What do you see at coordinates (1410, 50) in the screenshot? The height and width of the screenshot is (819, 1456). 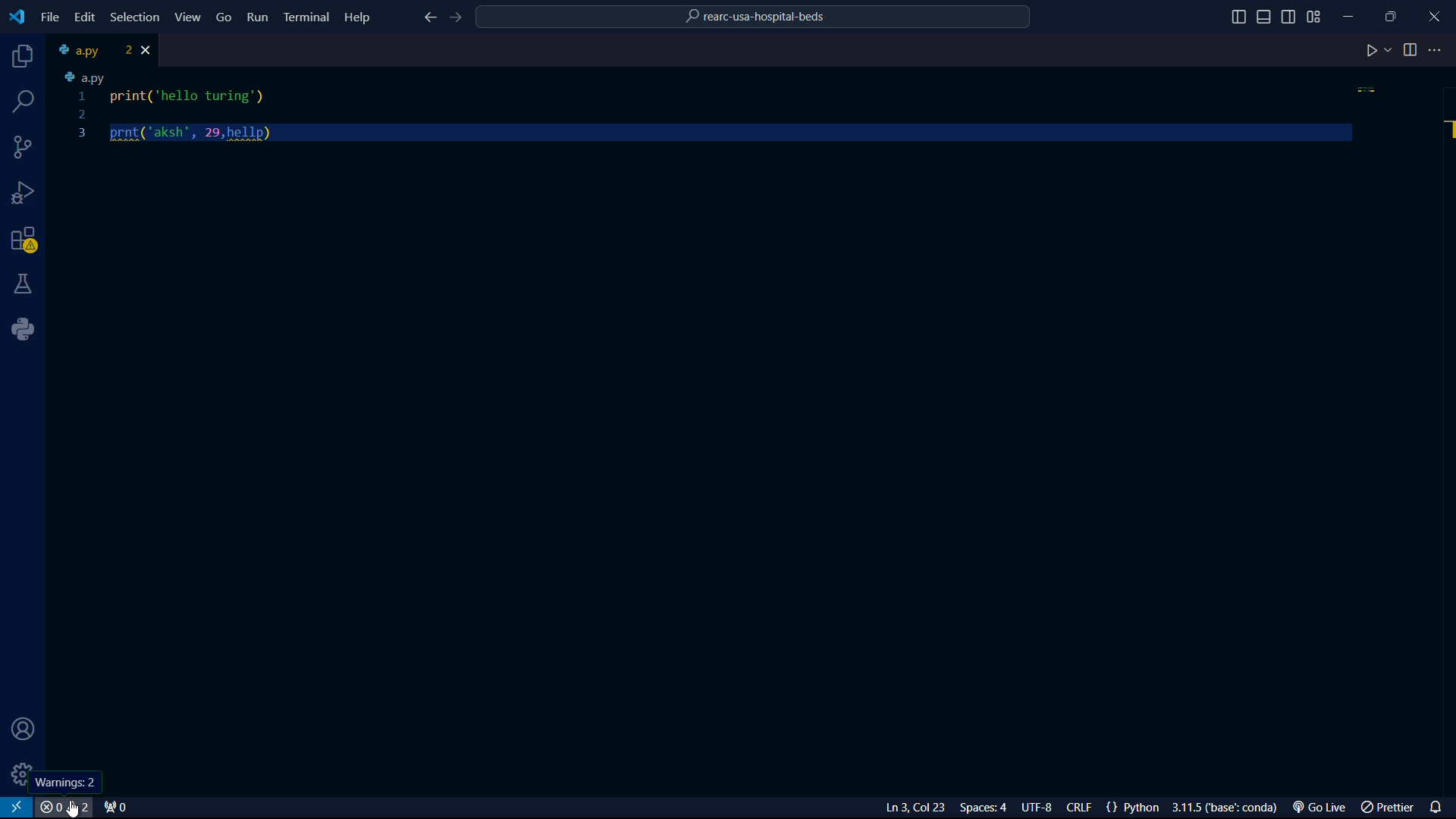 I see `toggle` at bounding box center [1410, 50].